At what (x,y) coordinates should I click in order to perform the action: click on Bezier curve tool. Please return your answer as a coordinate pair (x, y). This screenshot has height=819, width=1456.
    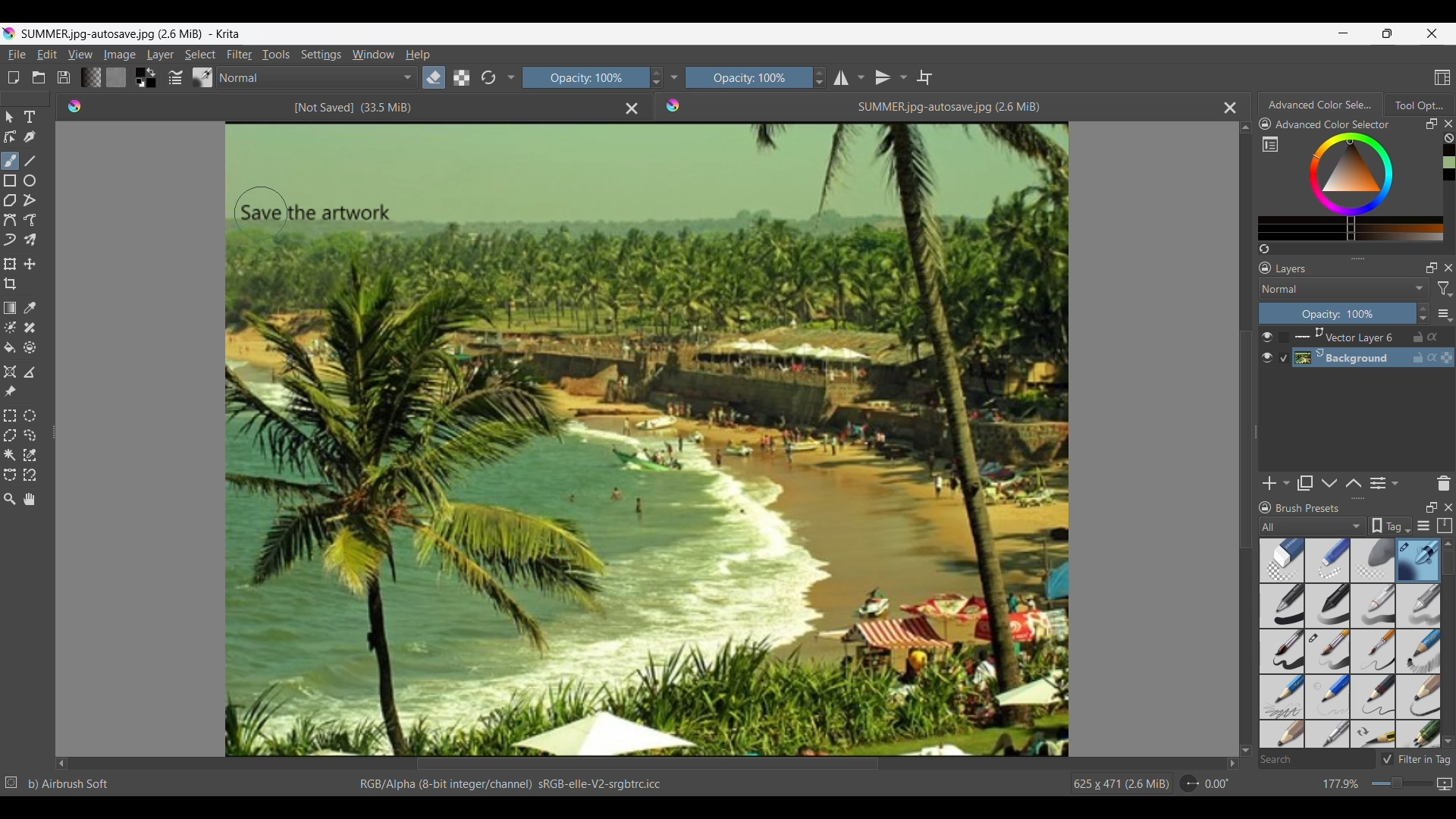
    Looking at the image, I should click on (10, 220).